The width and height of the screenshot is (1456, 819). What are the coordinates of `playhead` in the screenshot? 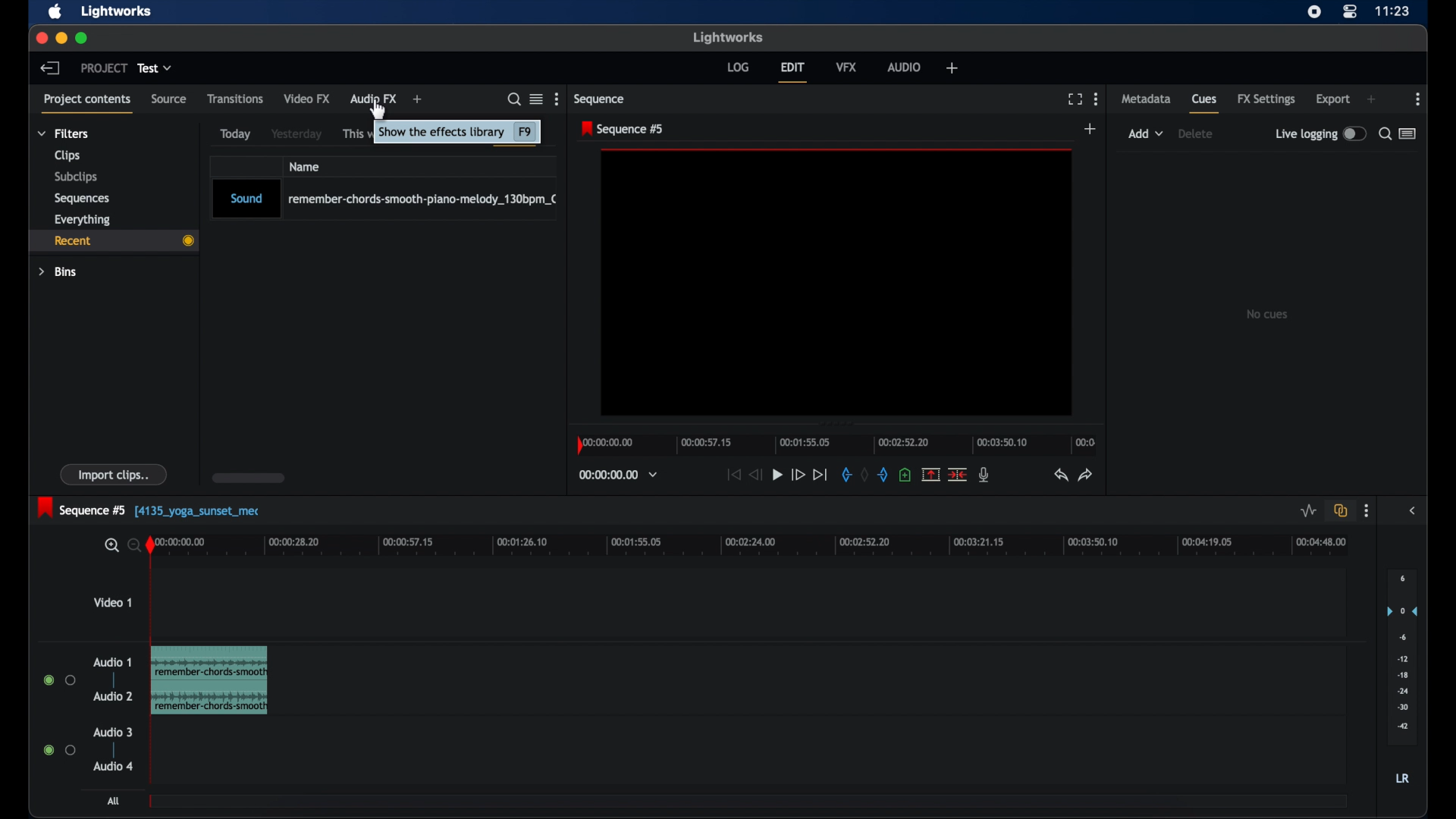 It's located at (150, 544).